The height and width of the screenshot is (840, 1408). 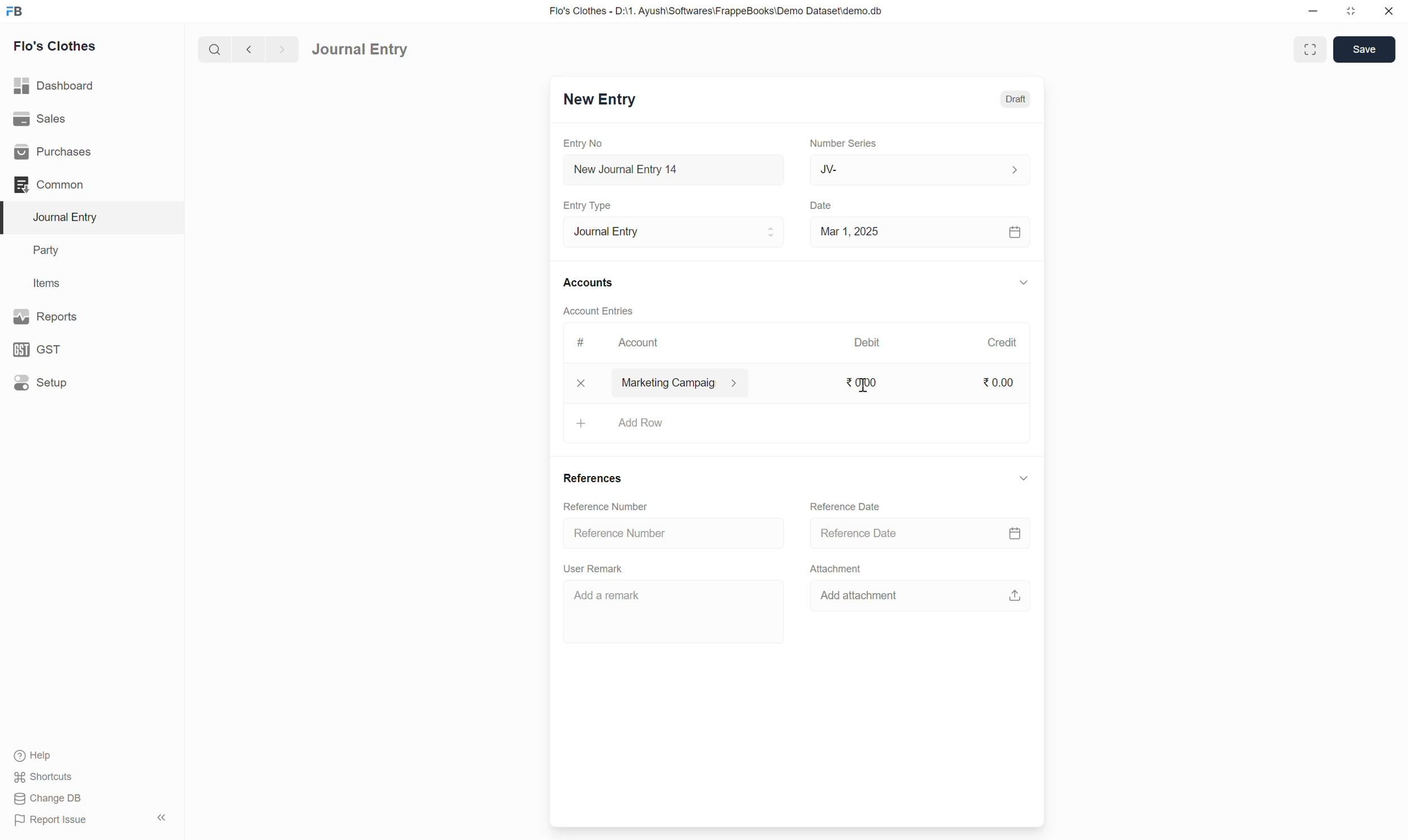 I want to click on 0.00, so click(x=999, y=382).